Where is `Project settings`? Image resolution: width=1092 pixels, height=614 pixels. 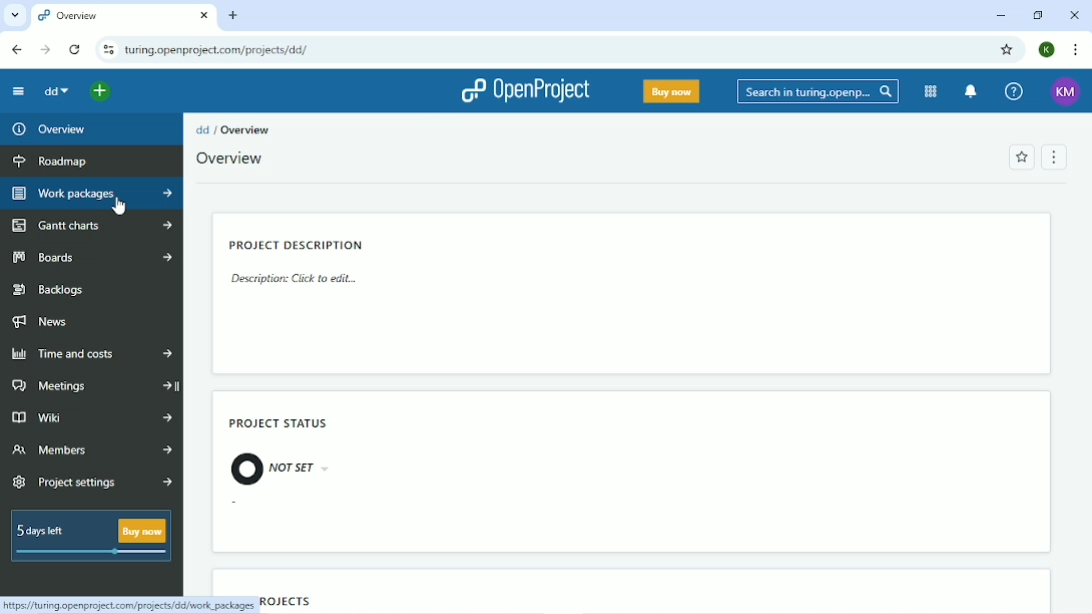
Project settings is located at coordinates (89, 483).